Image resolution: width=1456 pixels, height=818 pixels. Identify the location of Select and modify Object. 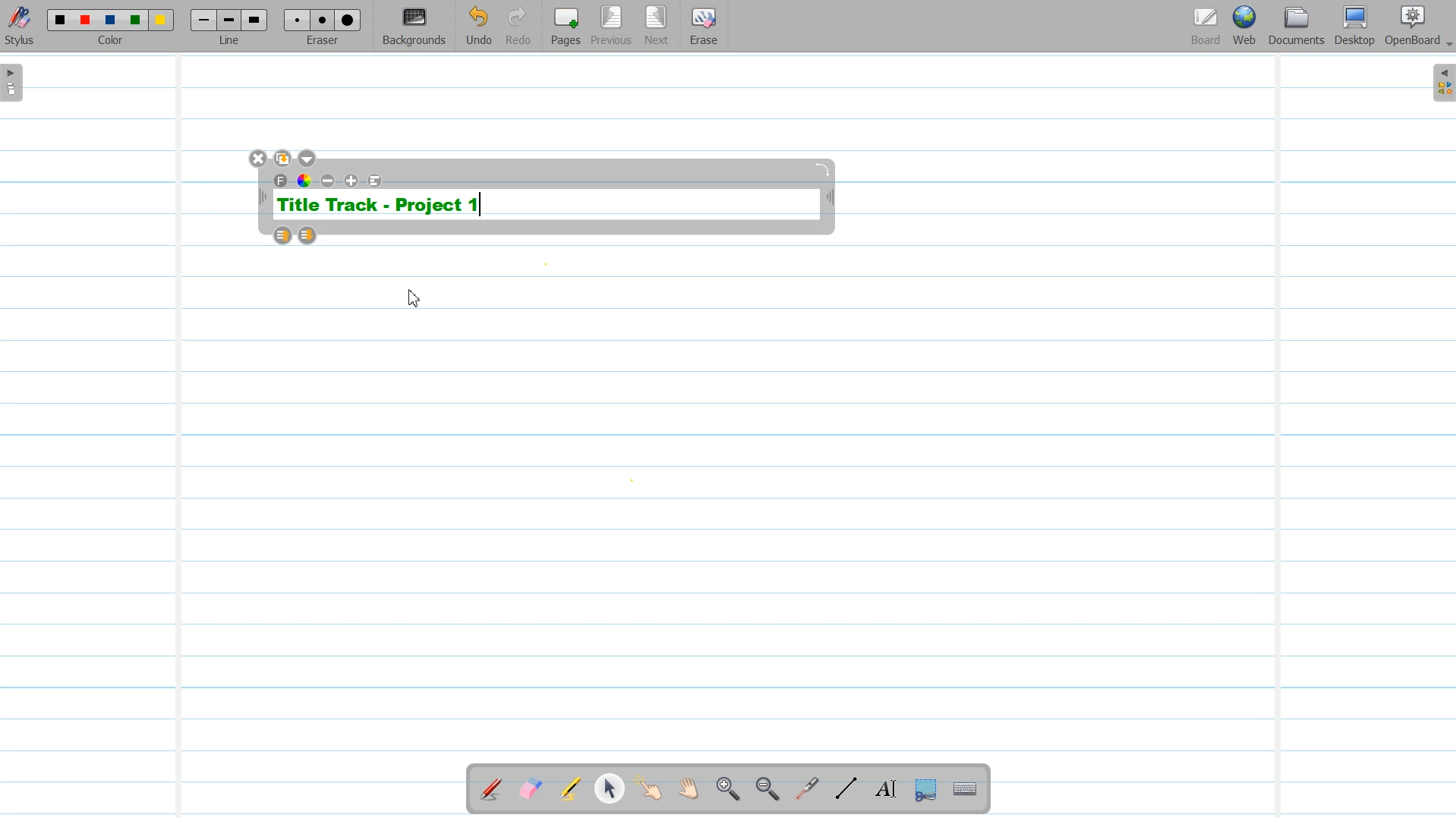
(610, 788).